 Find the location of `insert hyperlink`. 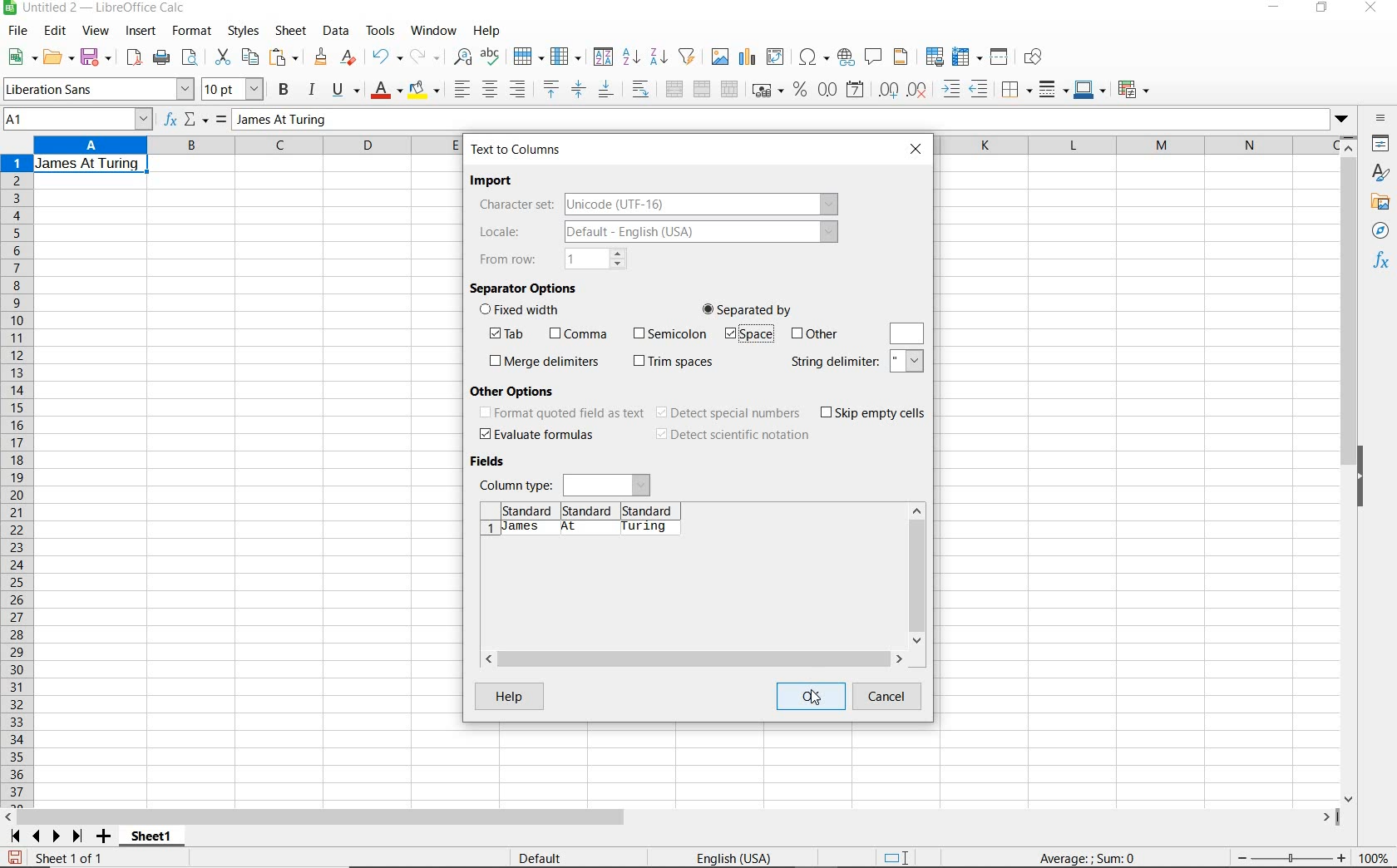

insert hyperlink is located at coordinates (847, 59).